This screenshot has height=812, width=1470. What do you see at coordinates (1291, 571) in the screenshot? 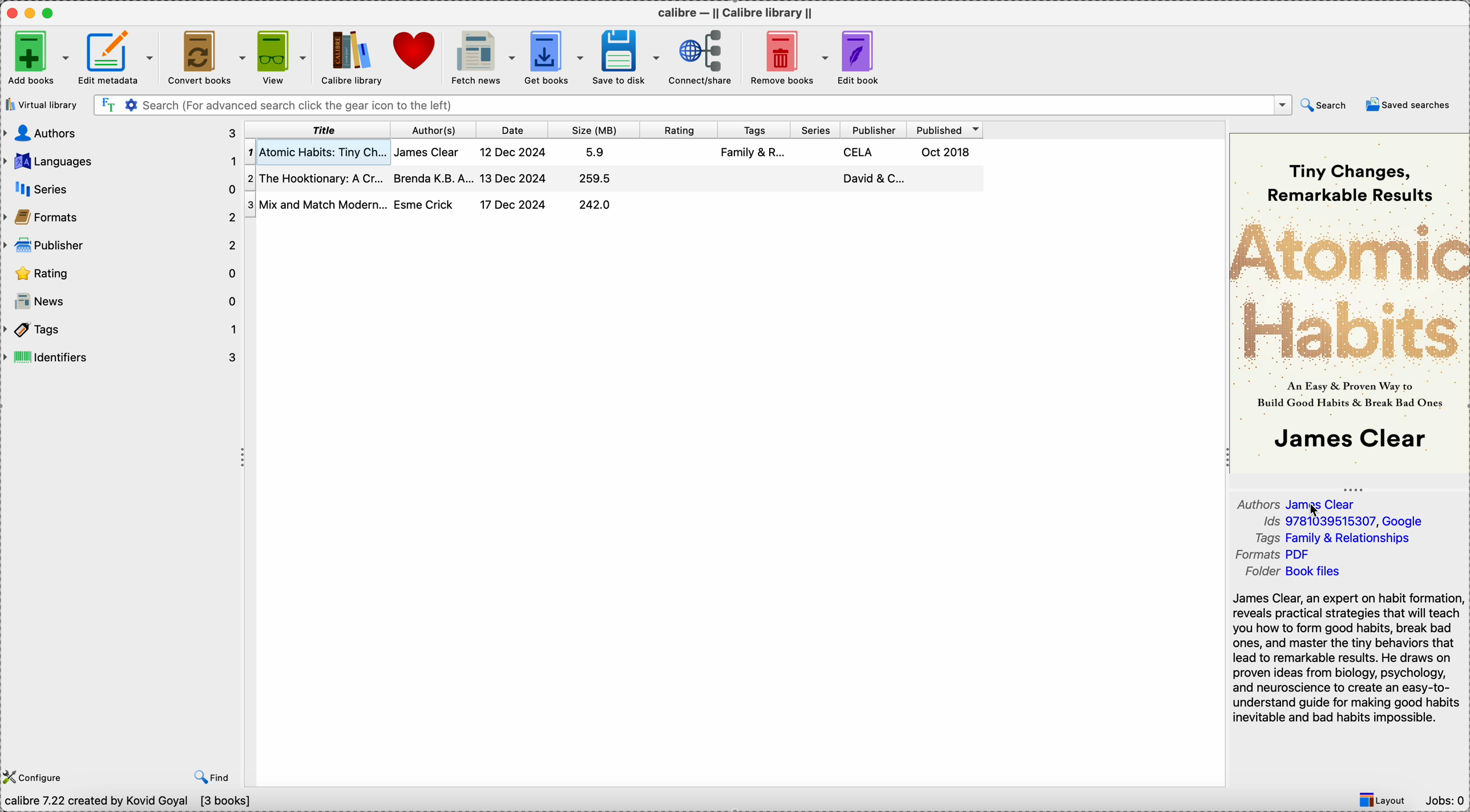
I see `Folder Book files` at bounding box center [1291, 571].